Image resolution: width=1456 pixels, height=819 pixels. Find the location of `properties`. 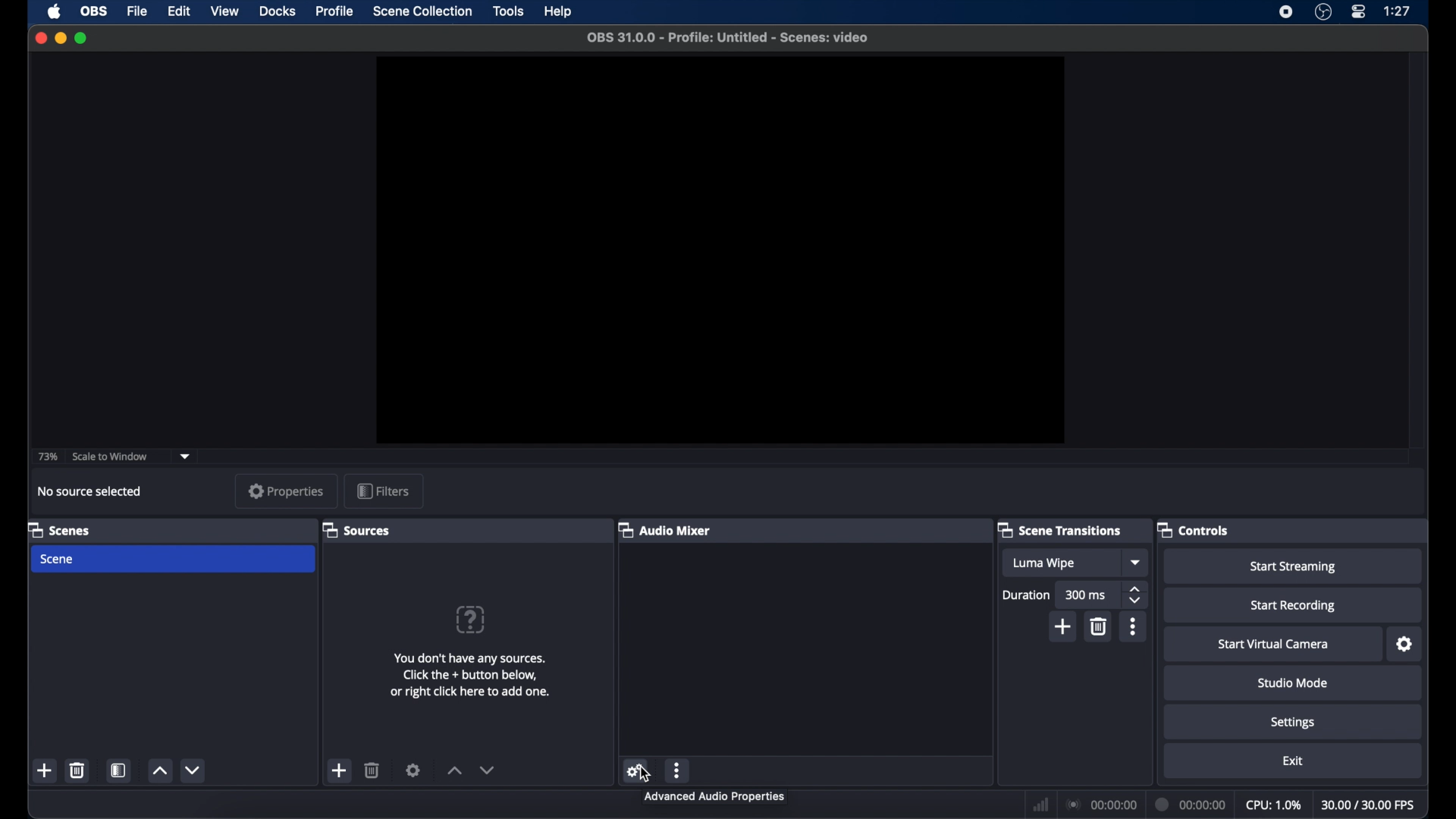

properties is located at coordinates (287, 491).